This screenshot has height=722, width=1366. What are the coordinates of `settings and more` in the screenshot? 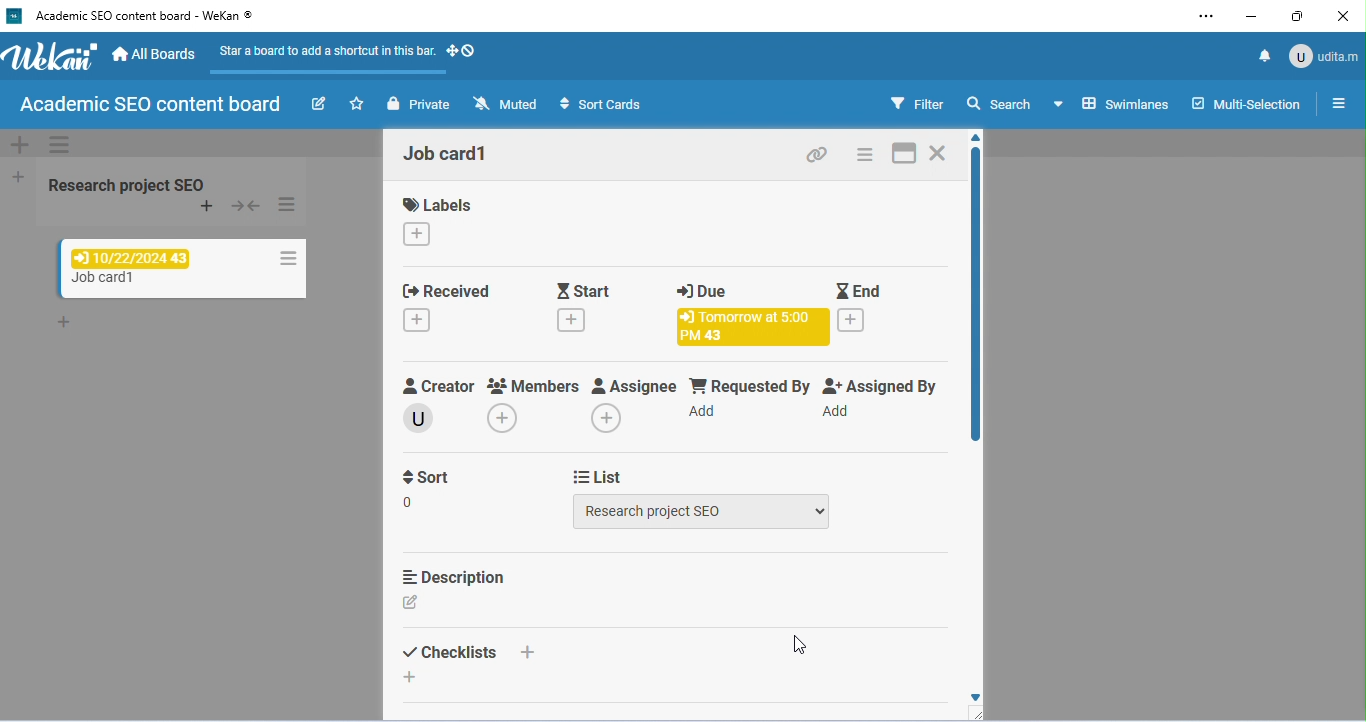 It's located at (1211, 16).